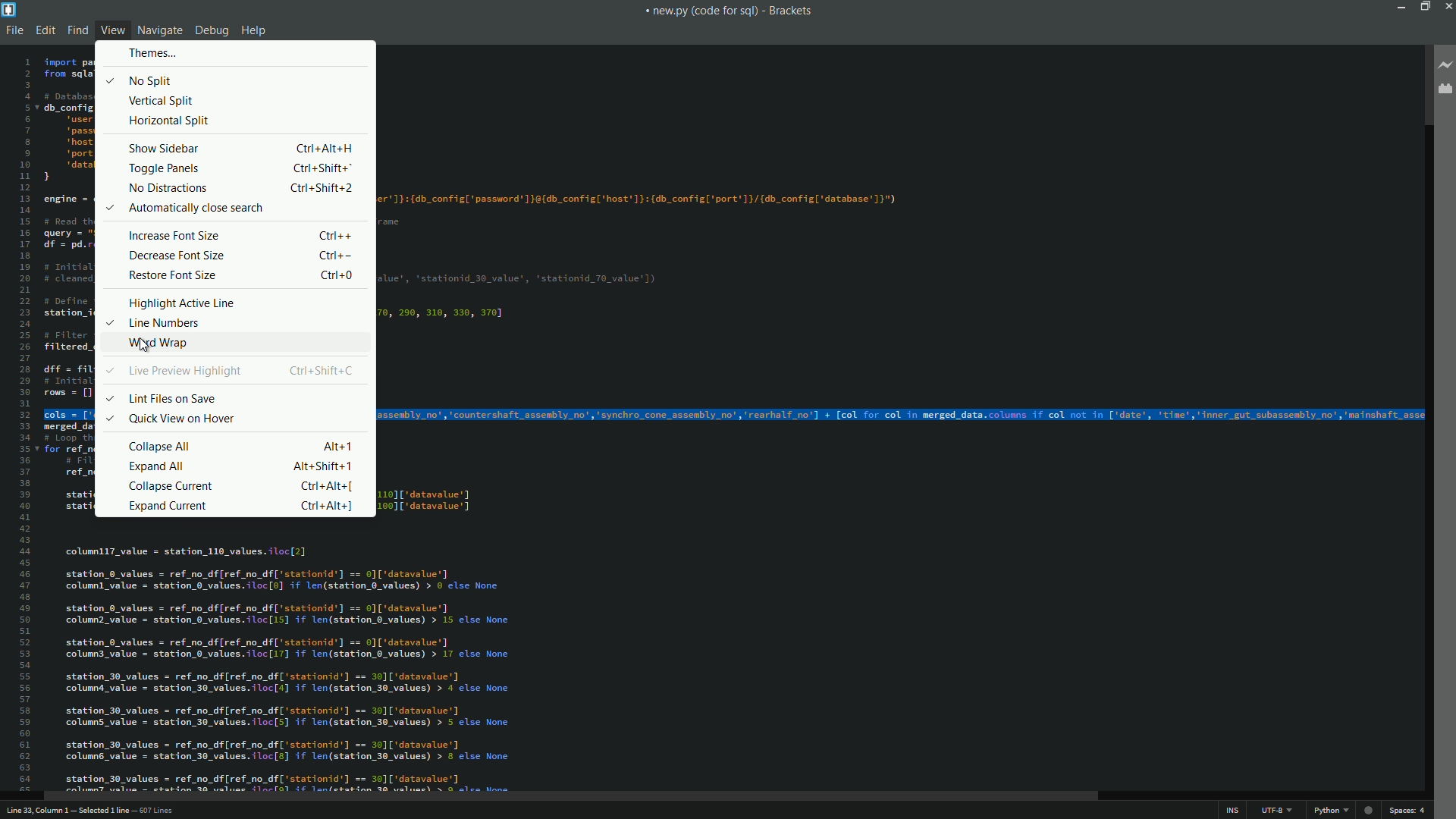 Image resolution: width=1456 pixels, height=819 pixels. I want to click on selected line, so click(906, 414).